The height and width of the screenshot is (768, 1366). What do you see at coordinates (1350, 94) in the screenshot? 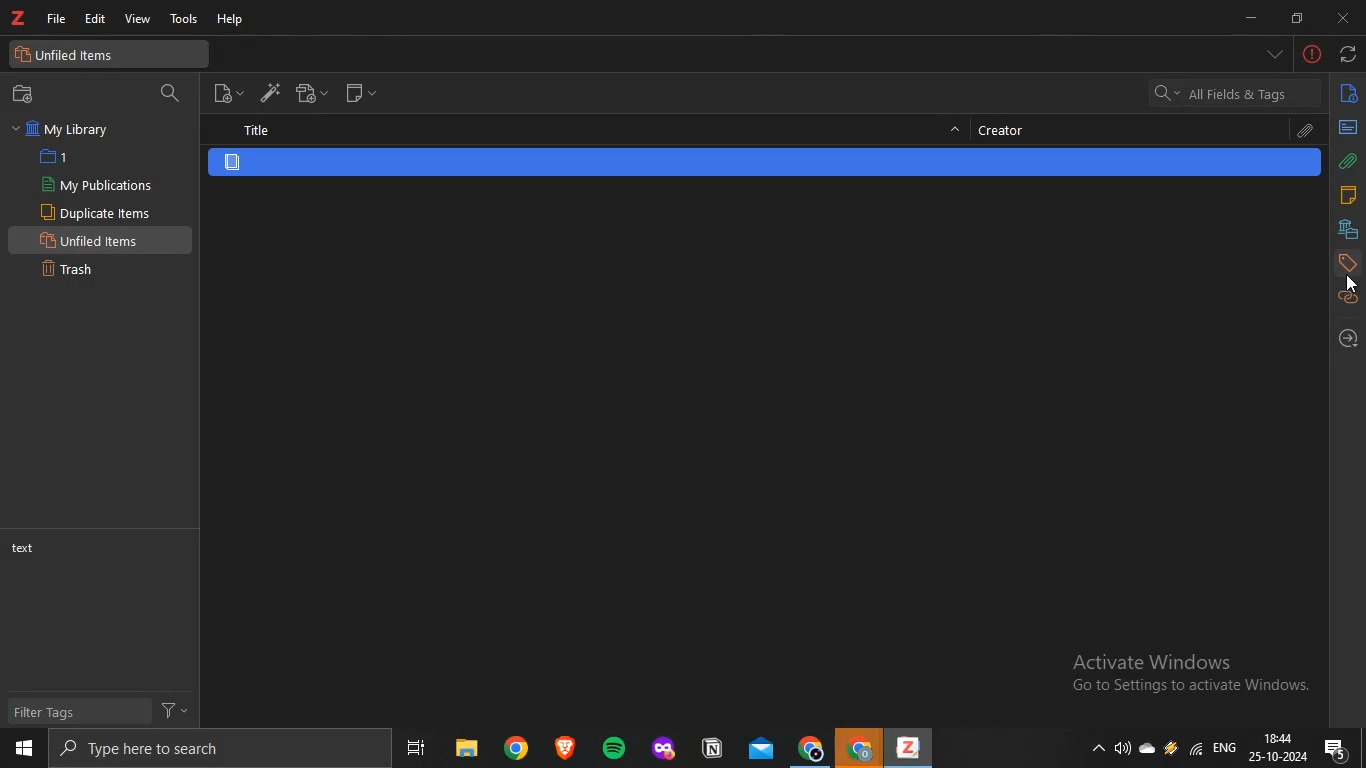
I see `info` at bounding box center [1350, 94].